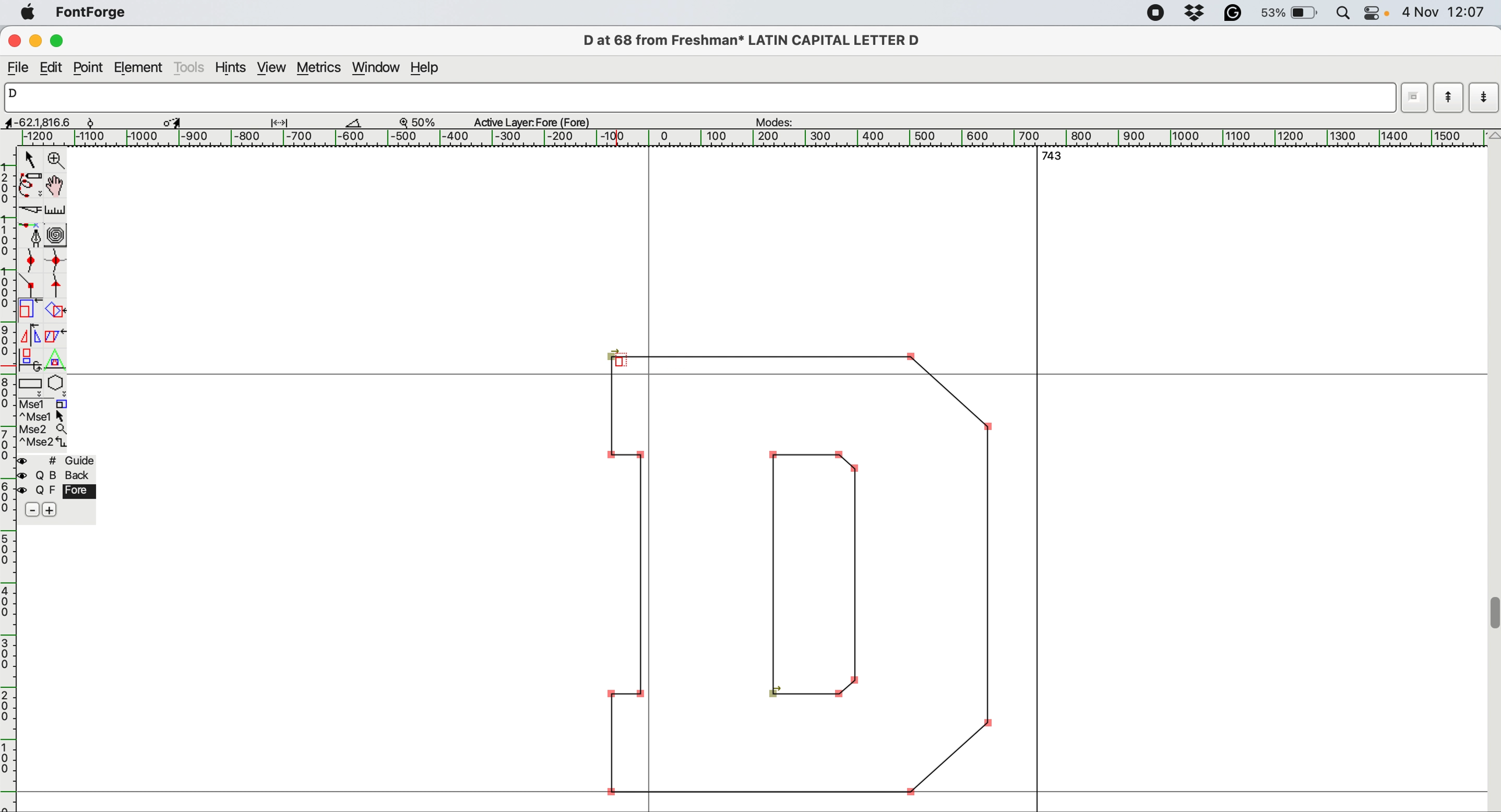 This screenshot has height=812, width=1501. Describe the element at coordinates (57, 386) in the screenshot. I see `star or polygon` at that location.